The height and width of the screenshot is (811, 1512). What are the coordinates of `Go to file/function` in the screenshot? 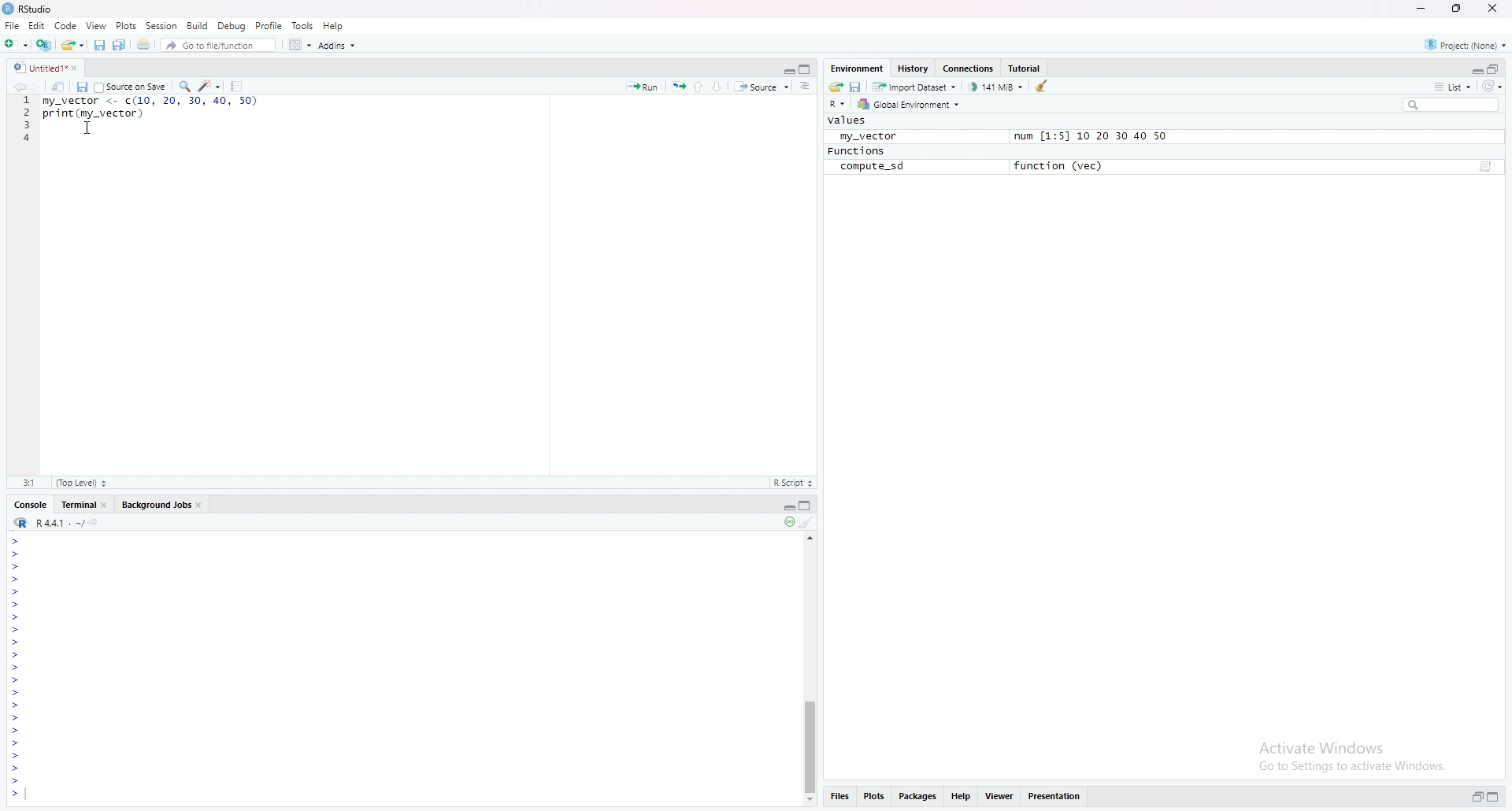 It's located at (217, 44).